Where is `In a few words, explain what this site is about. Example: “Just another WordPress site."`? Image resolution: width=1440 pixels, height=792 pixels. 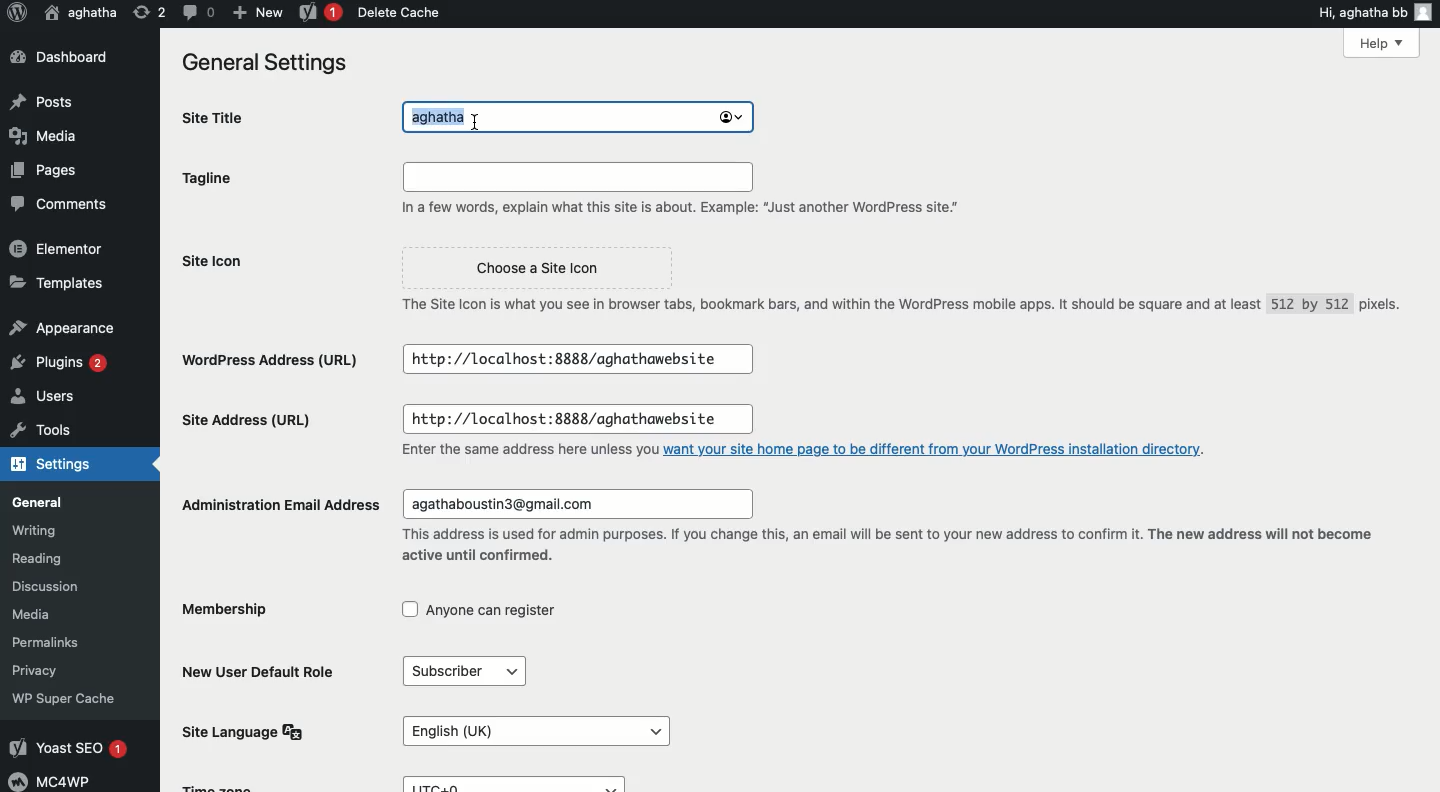 In a few words, explain what this site is about. Example: “Just another WordPress site." is located at coordinates (674, 207).